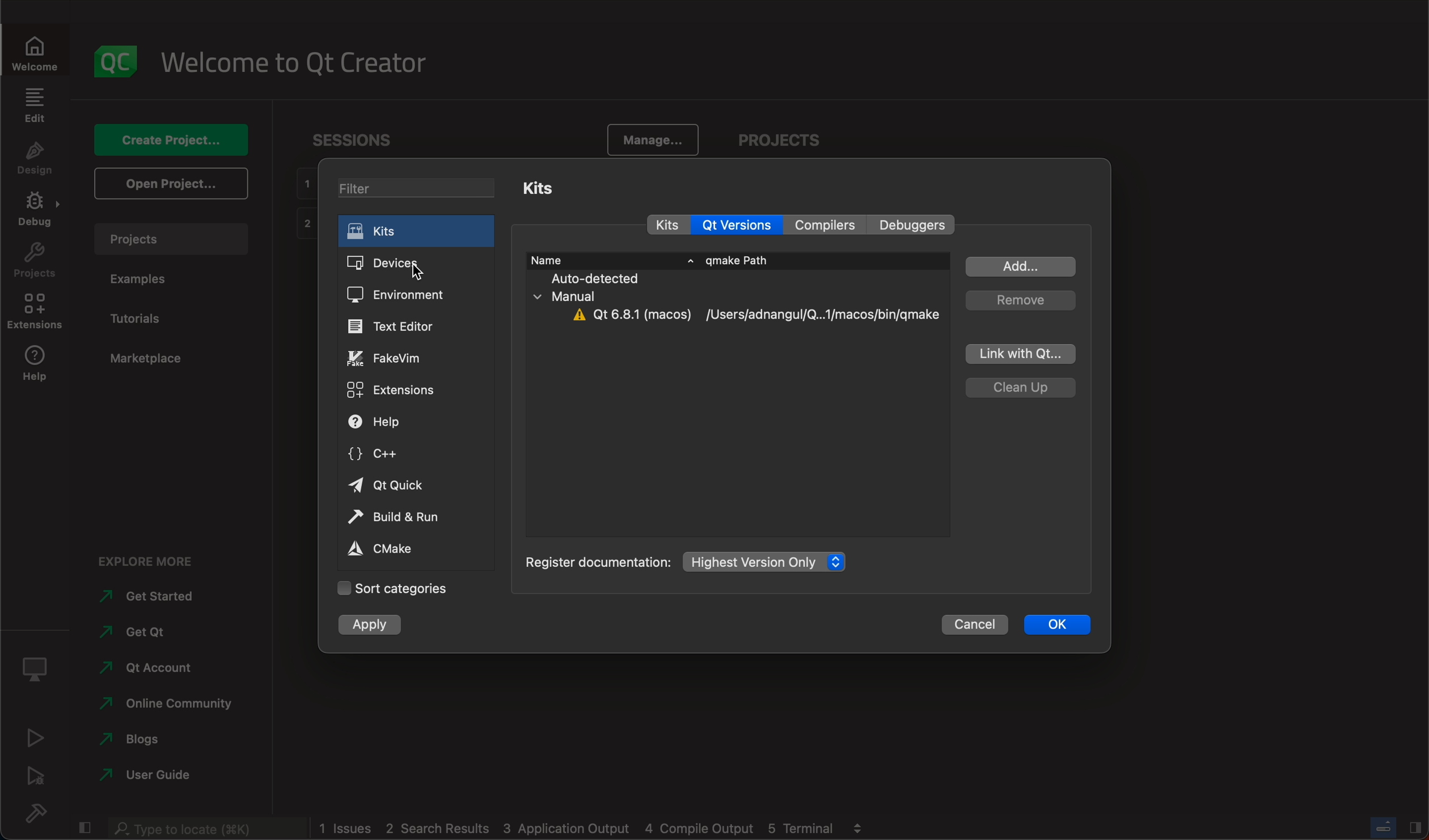 The height and width of the screenshot is (840, 1429). Describe the element at coordinates (598, 560) in the screenshot. I see `register documentation:` at that location.